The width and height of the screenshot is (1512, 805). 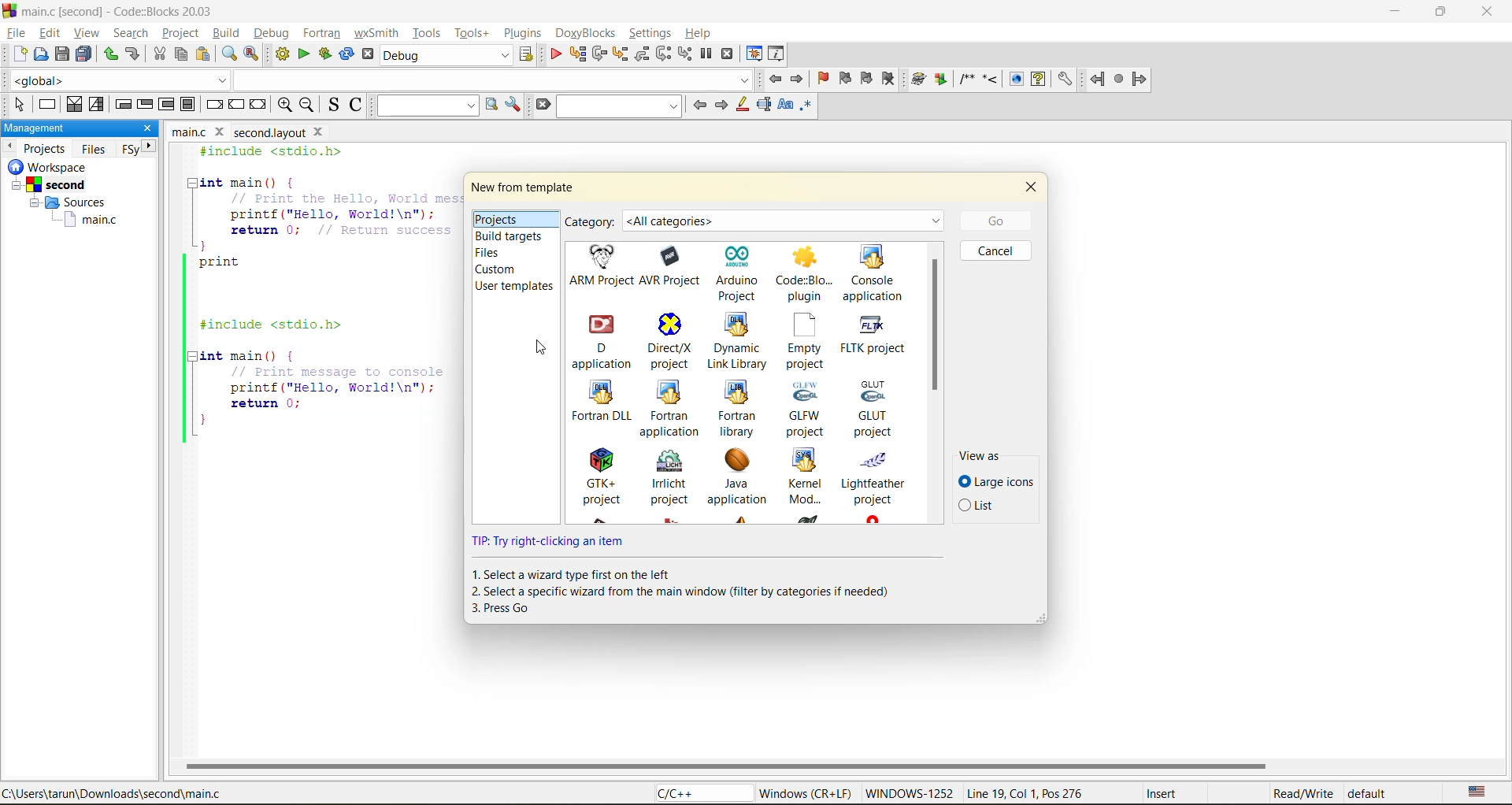 I want to click on toggle source, so click(x=331, y=105).